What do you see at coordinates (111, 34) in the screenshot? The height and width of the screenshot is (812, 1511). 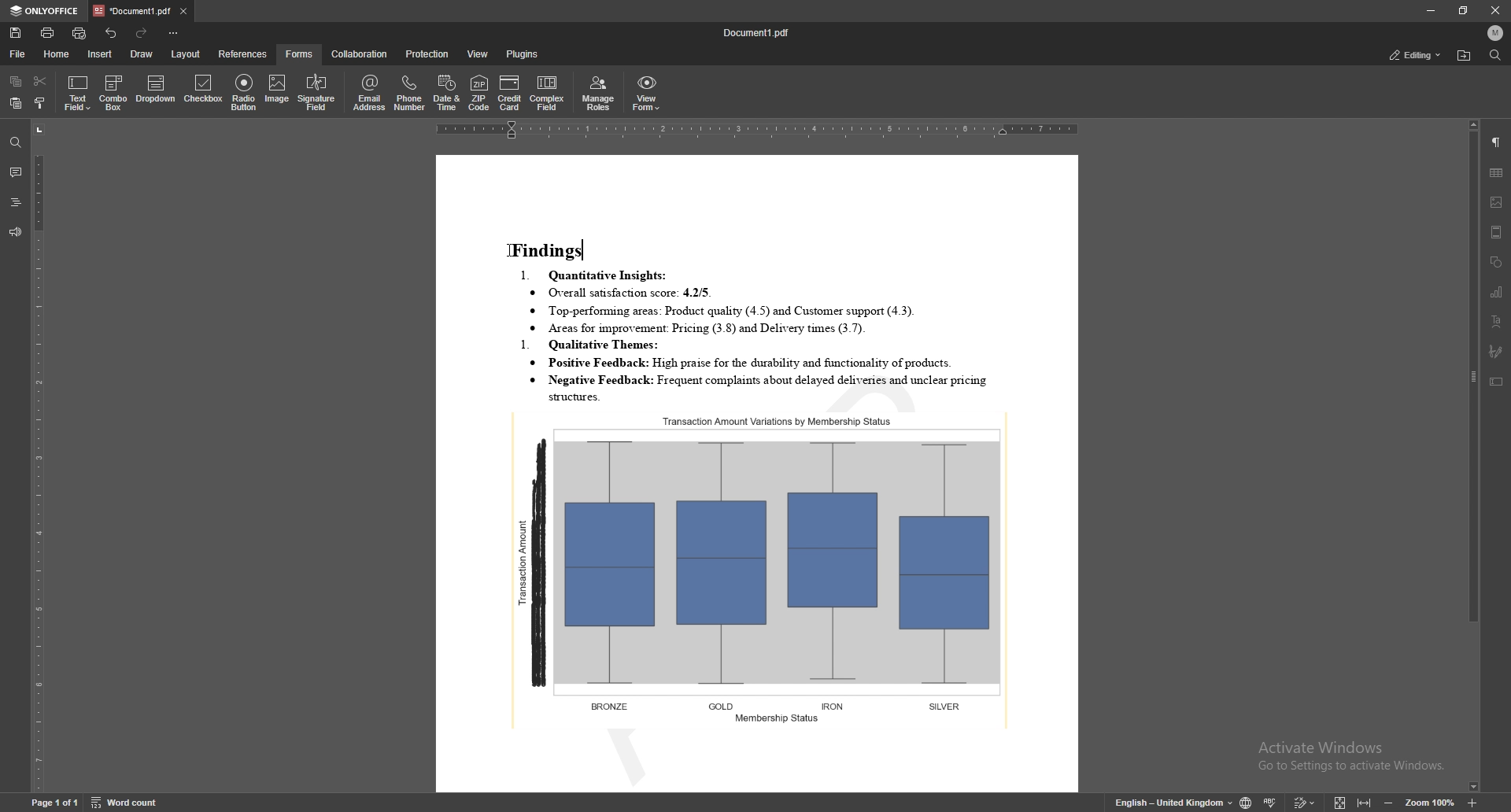 I see `undo` at bounding box center [111, 34].